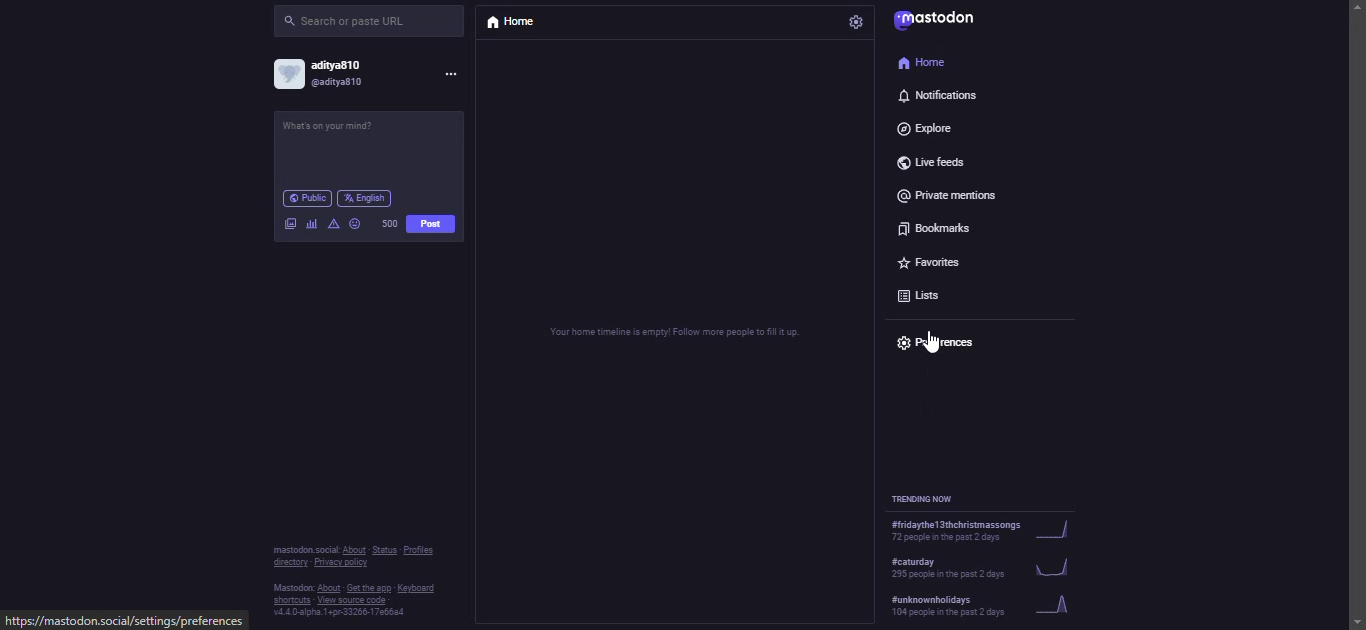 Image resolution: width=1366 pixels, height=630 pixels. What do you see at coordinates (431, 225) in the screenshot?
I see `post` at bounding box center [431, 225].